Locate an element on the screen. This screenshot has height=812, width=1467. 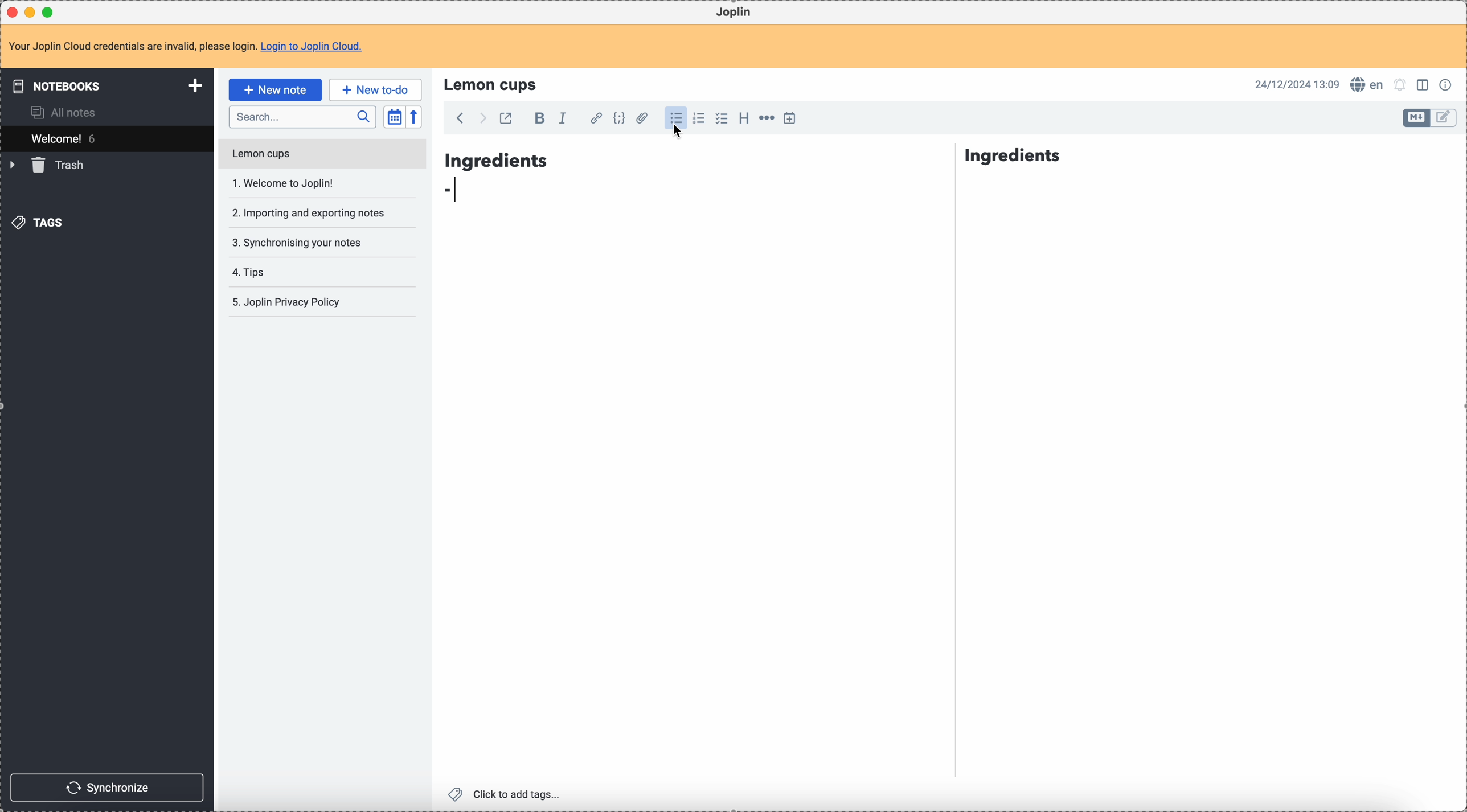
code is located at coordinates (619, 119).